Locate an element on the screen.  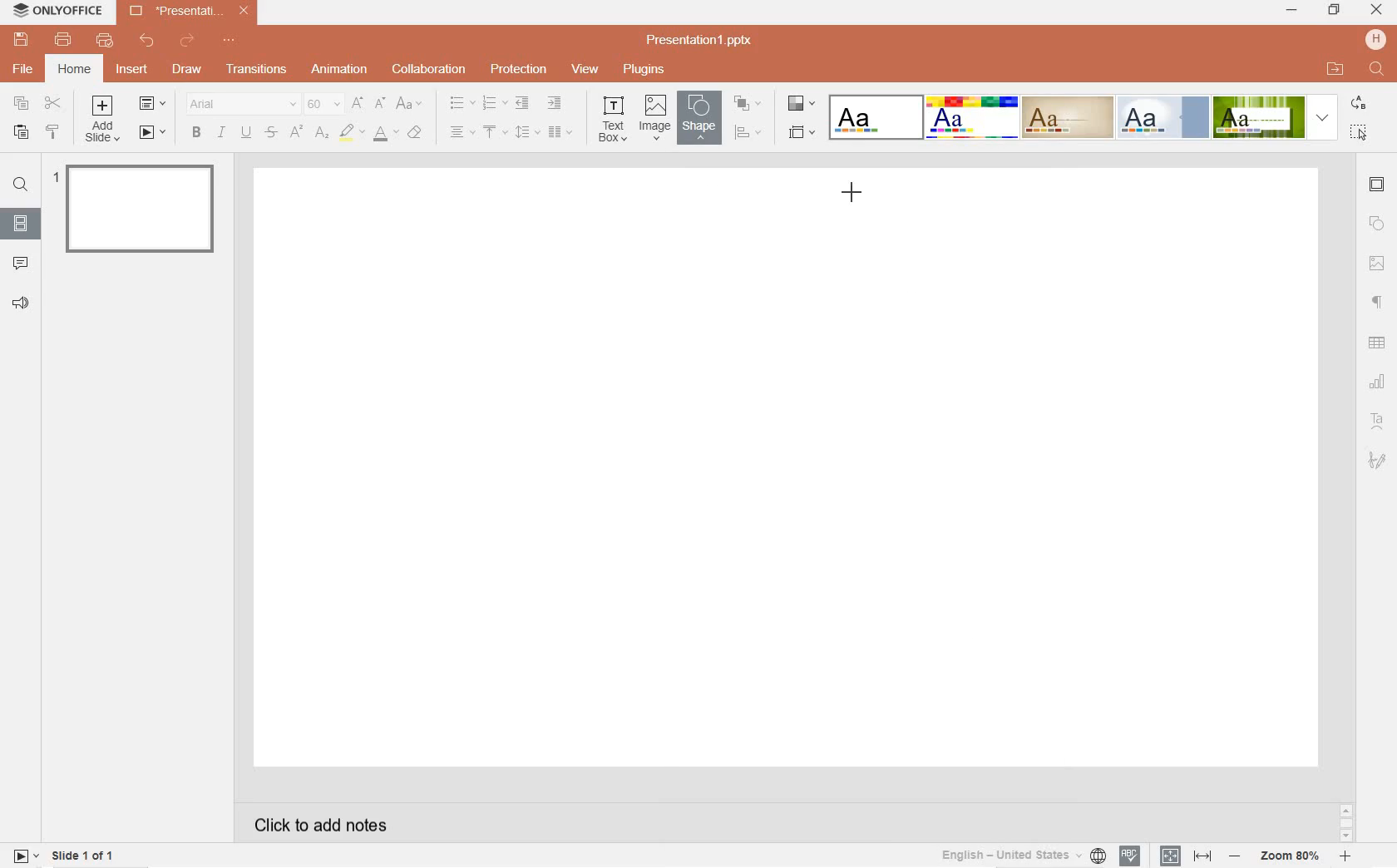
increase indent is located at coordinates (555, 104).